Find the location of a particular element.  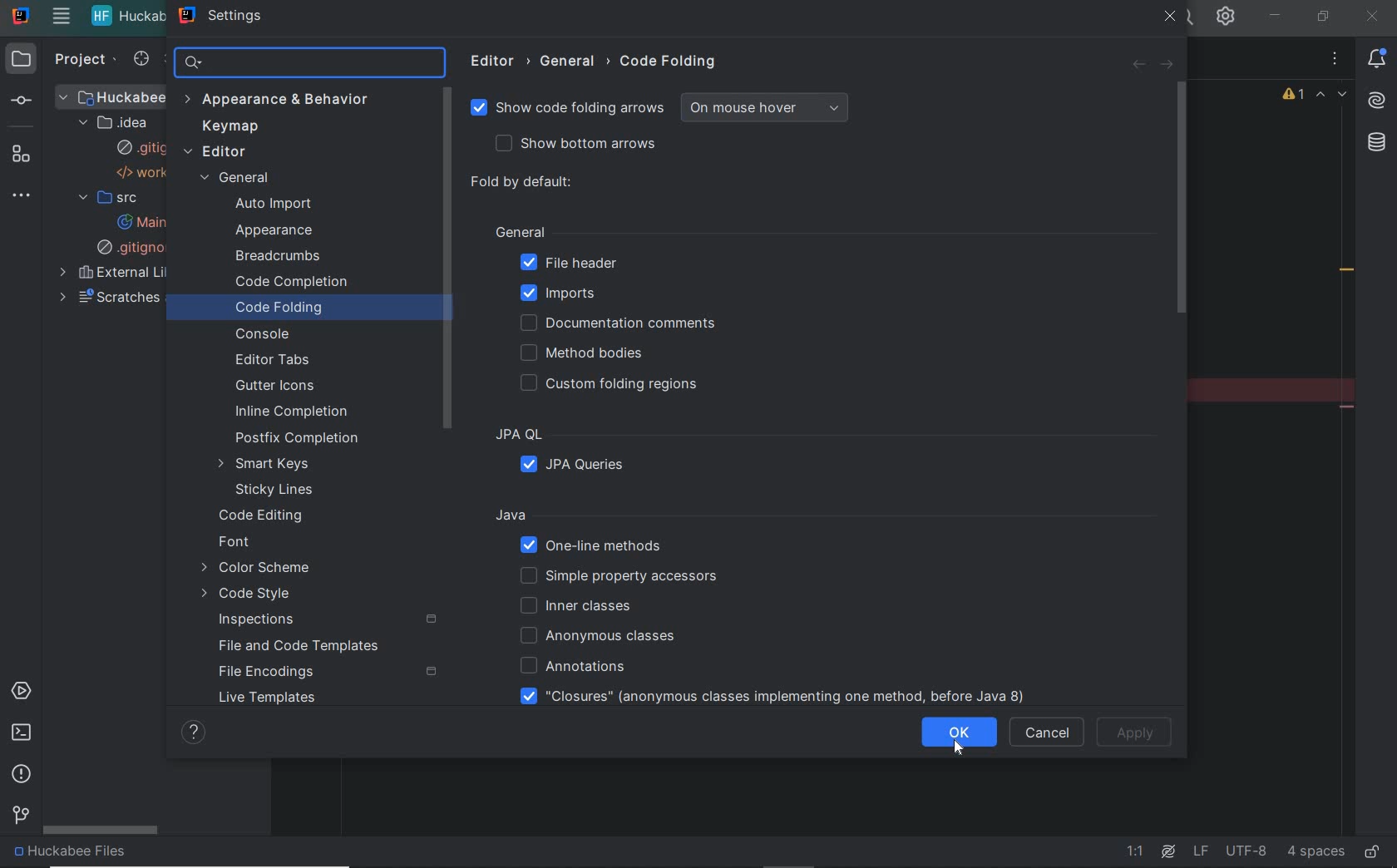

settings is located at coordinates (228, 17).